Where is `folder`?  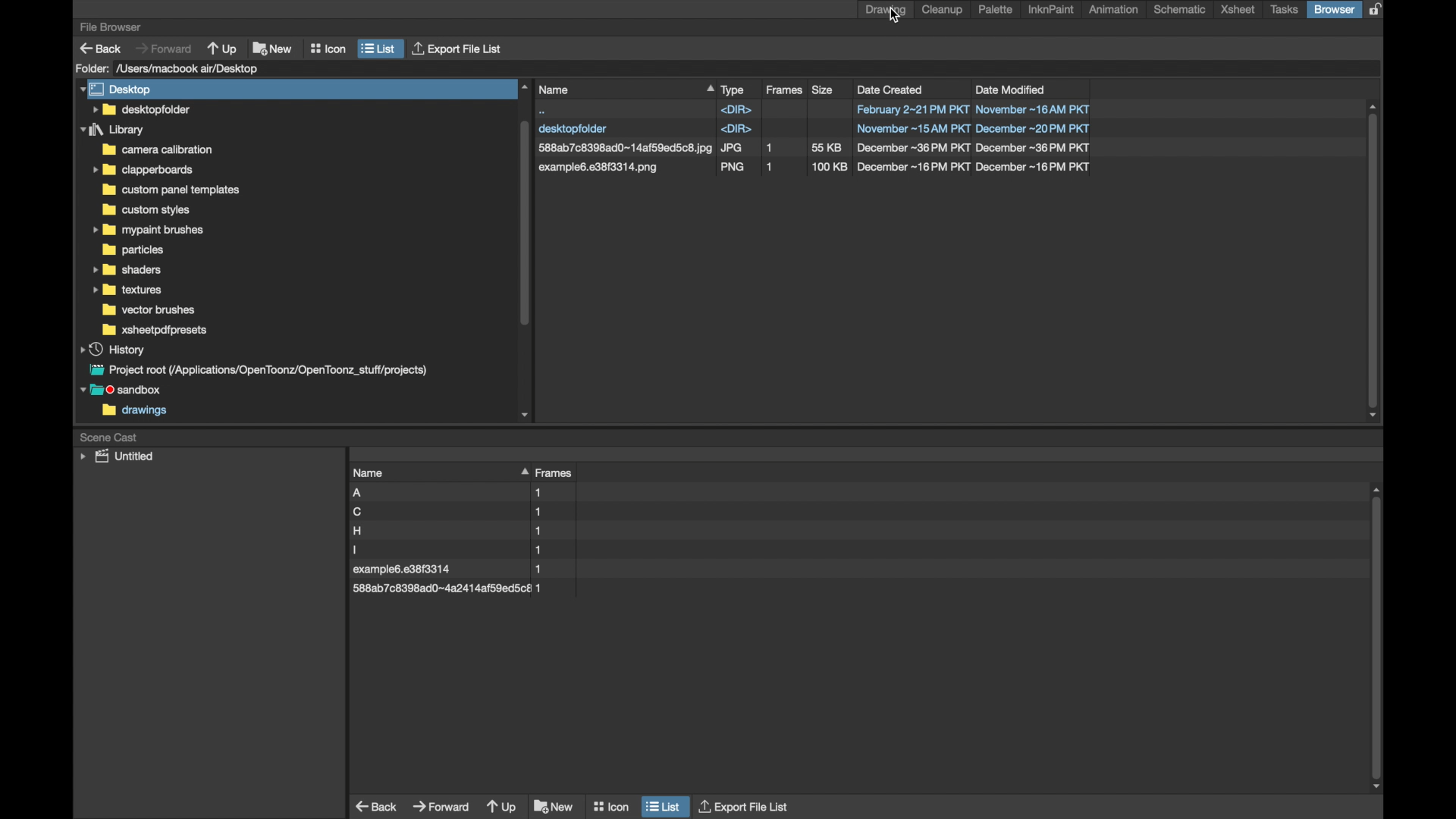
folder is located at coordinates (151, 310).